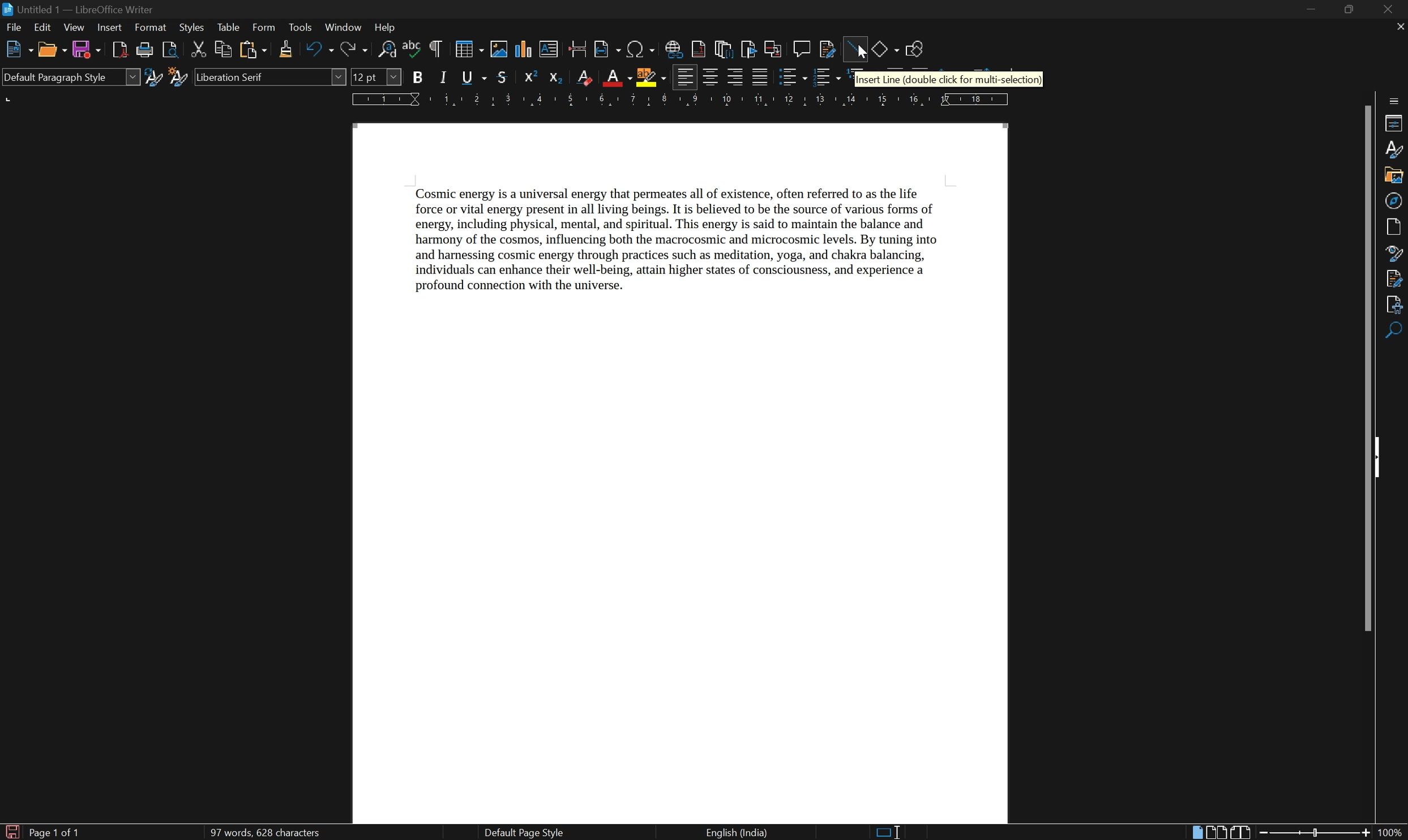  What do you see at coordinates (43, 29) in the screenshot?
I see `edit` at bounding box center [43, 29].